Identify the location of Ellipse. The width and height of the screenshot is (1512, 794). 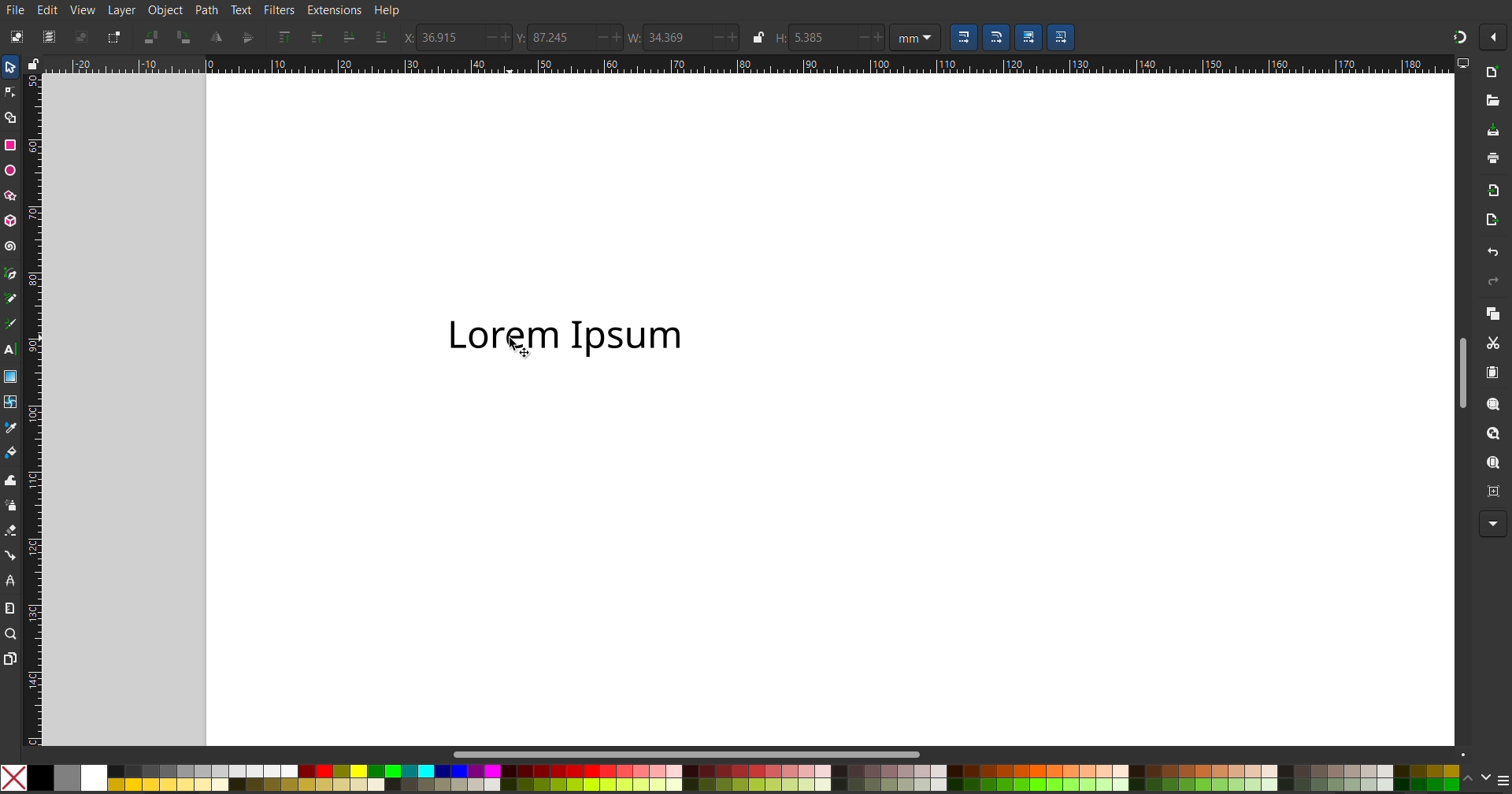
(11, 172).